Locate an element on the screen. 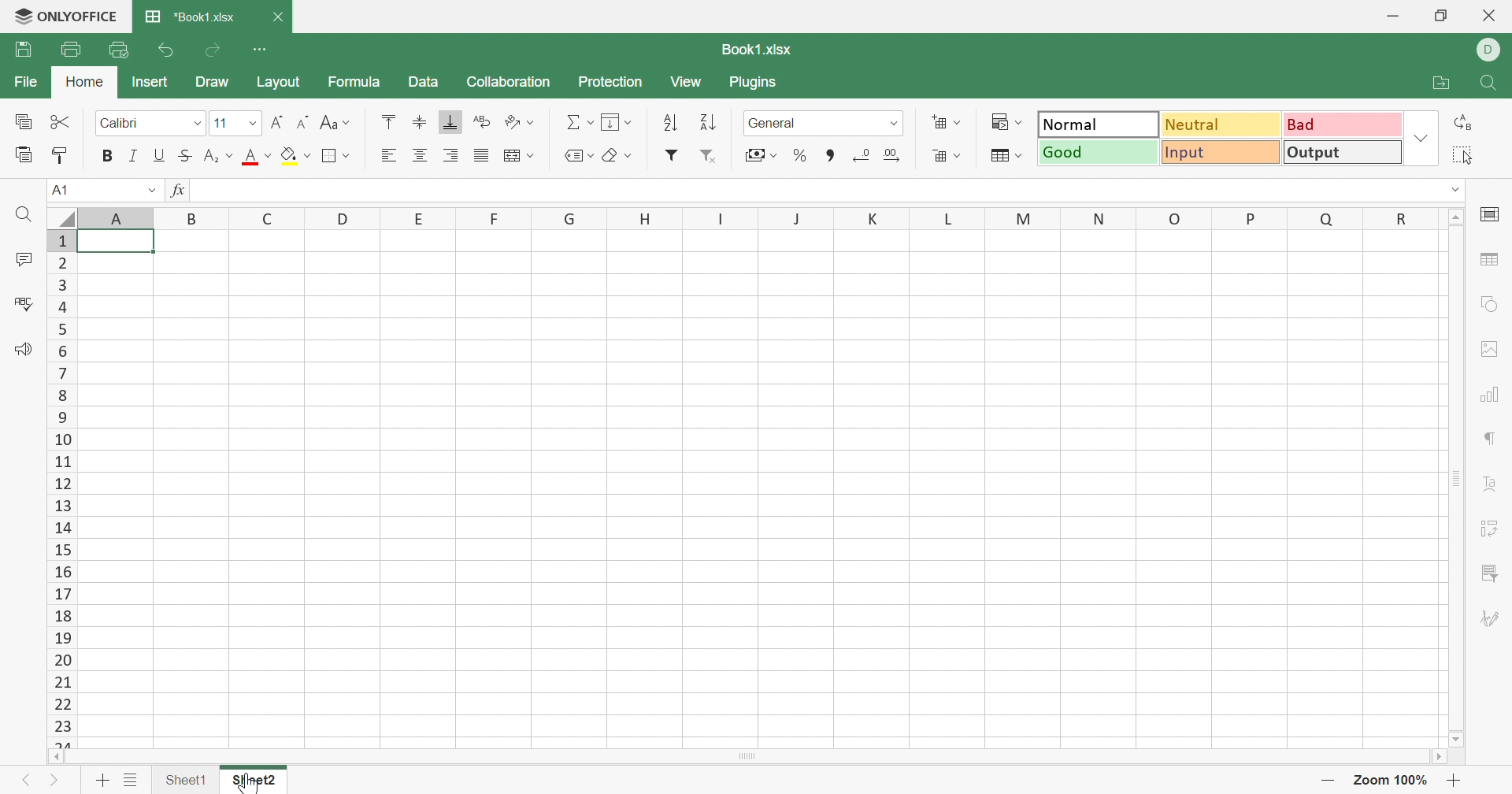  Scroll Left is located at coordinates (57, 757).